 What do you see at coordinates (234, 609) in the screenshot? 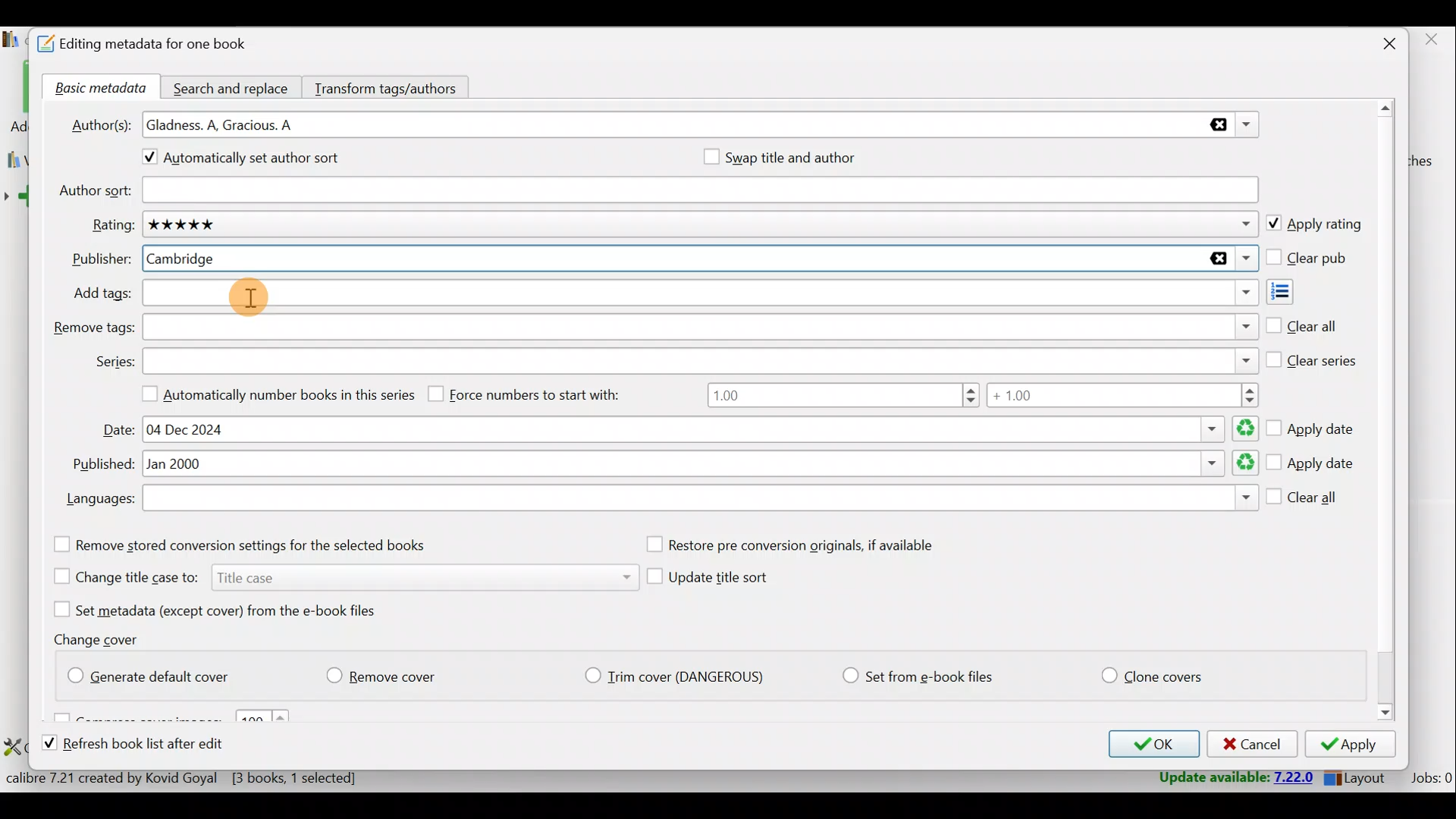
I see `Set metadata (except cover) from the e-book files` at bounding box center [234, 609].